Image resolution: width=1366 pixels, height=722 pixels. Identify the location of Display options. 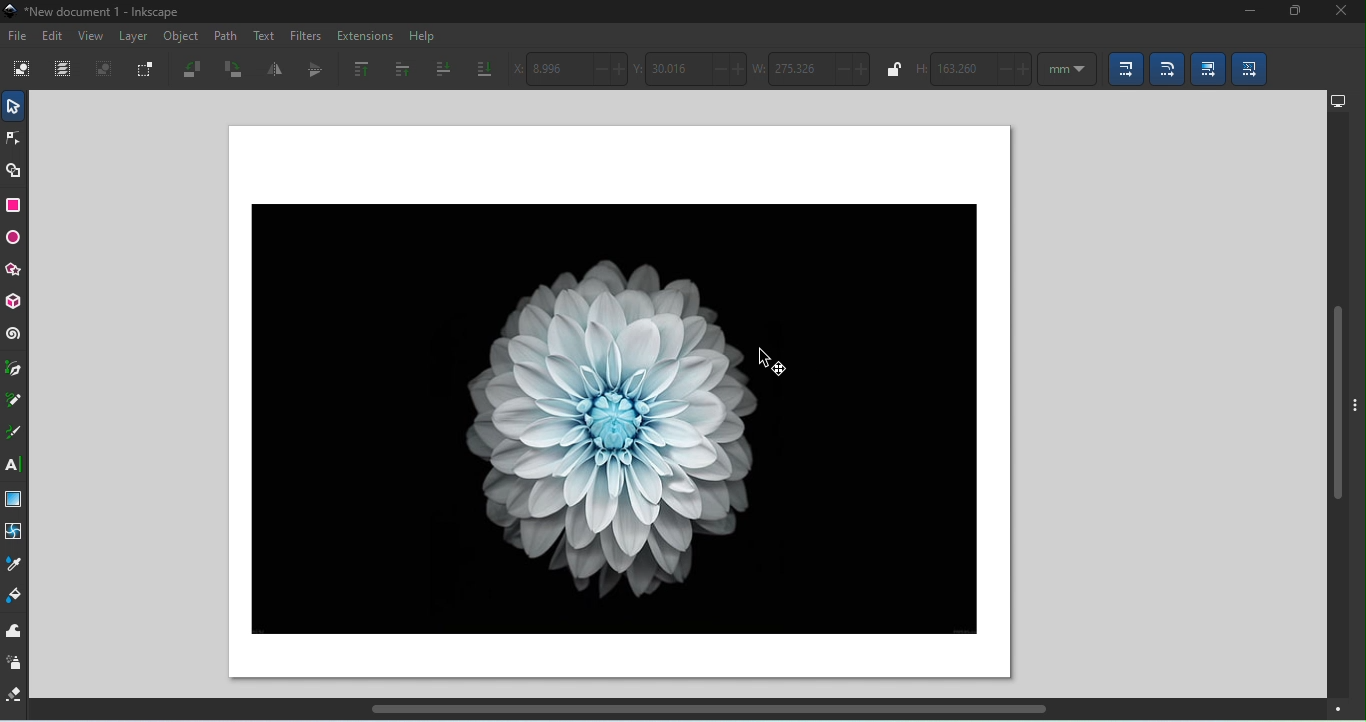
(1338, 101).